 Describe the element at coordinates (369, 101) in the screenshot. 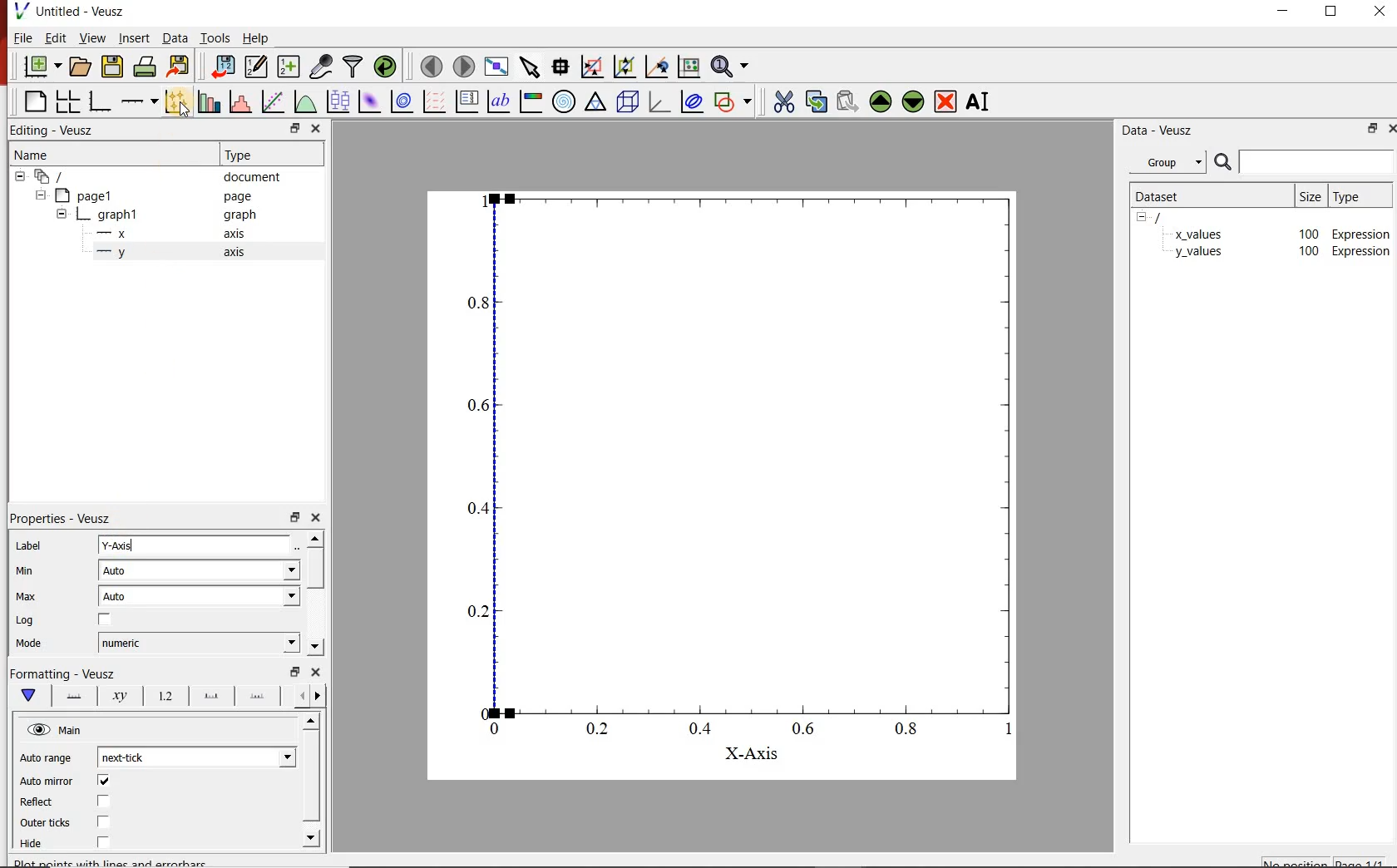

I see `plot 2d dataset as an image` at that location.